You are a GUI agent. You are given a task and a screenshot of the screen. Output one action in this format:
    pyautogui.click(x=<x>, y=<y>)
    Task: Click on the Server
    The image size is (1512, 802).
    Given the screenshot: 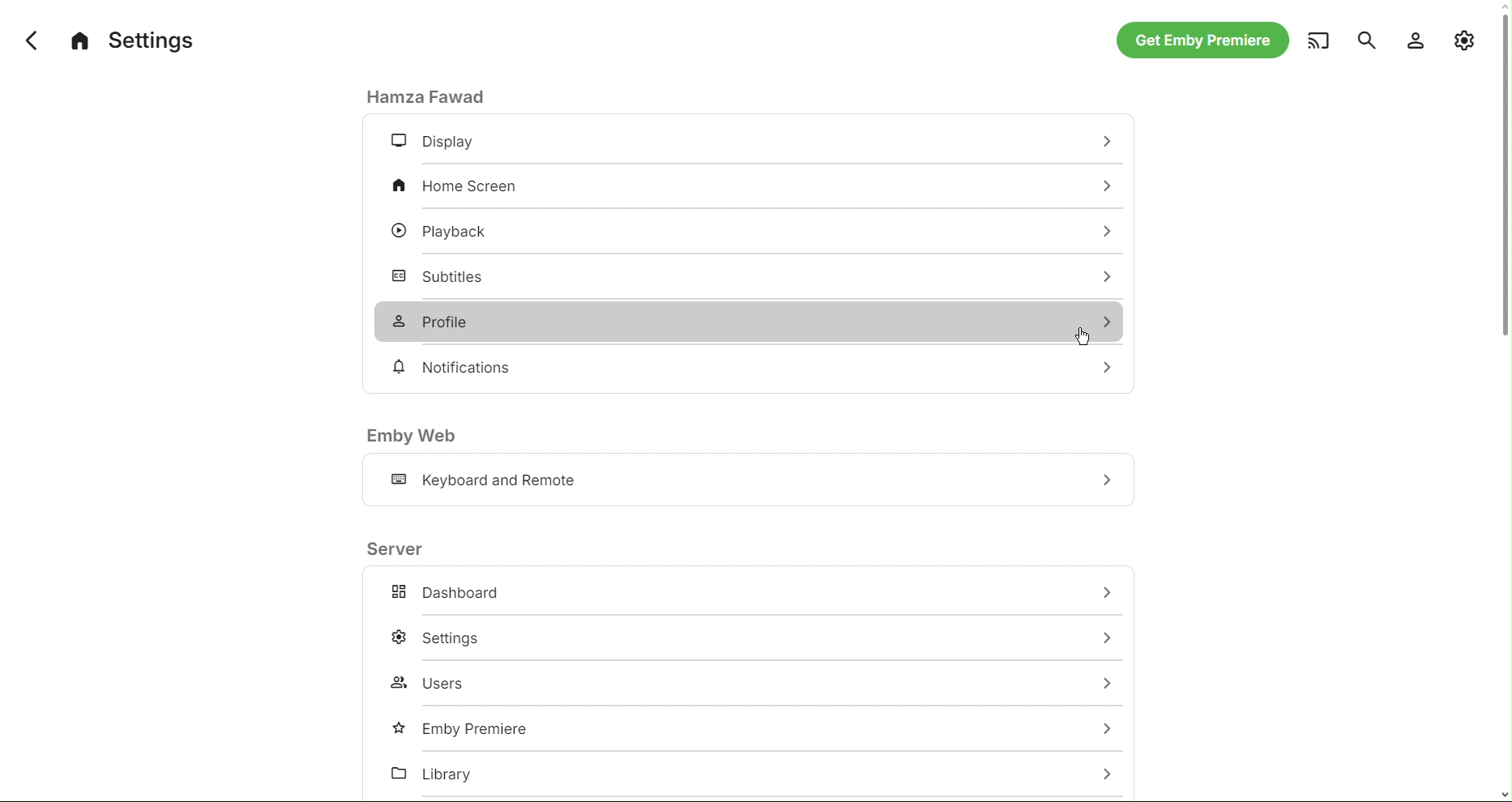 What is the action you would take?
    pyautogui.click(x=397, y=548)
    